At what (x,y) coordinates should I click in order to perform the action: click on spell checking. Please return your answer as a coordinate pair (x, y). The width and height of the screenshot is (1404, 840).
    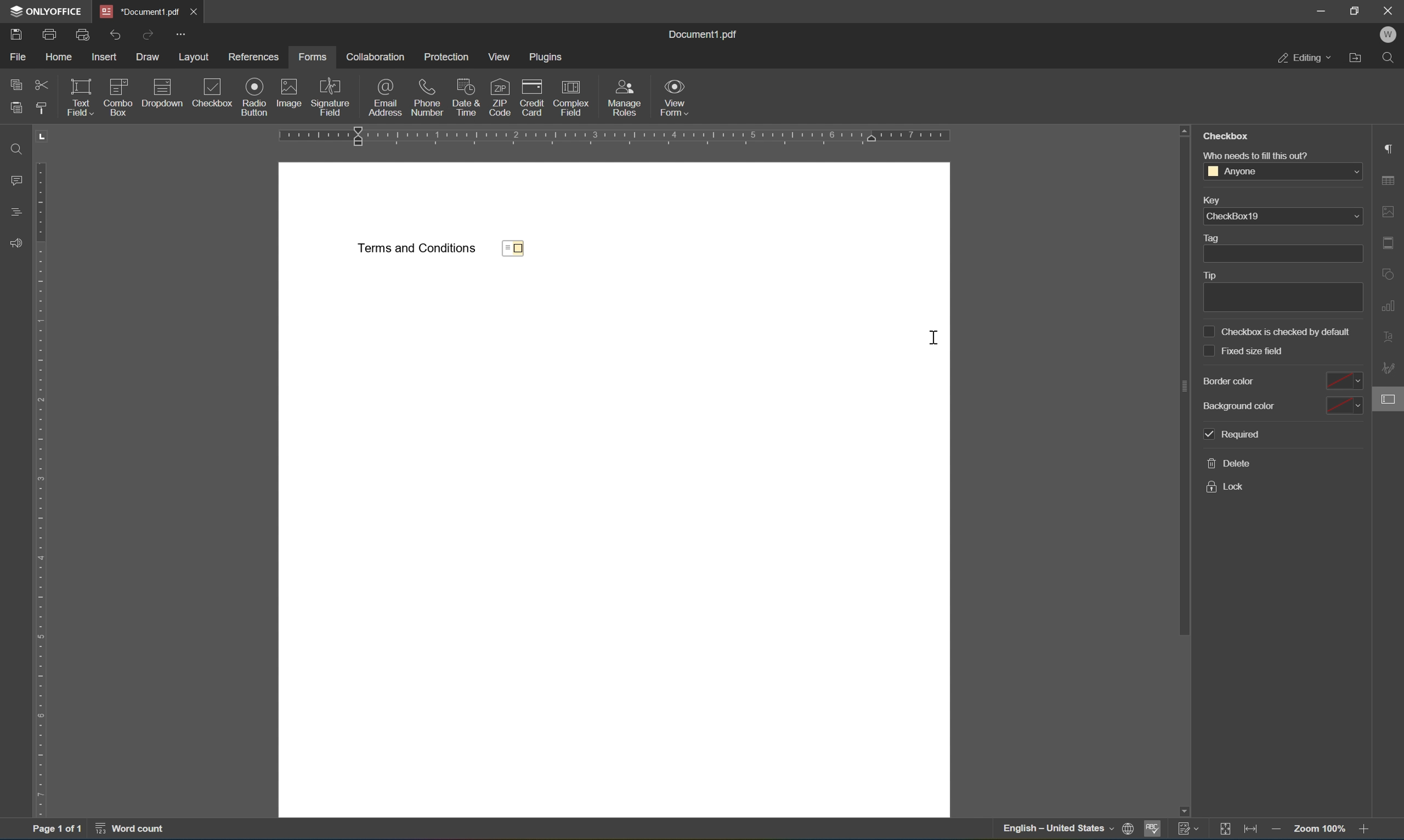
    Looking at the image, I should click on (1154, 830).